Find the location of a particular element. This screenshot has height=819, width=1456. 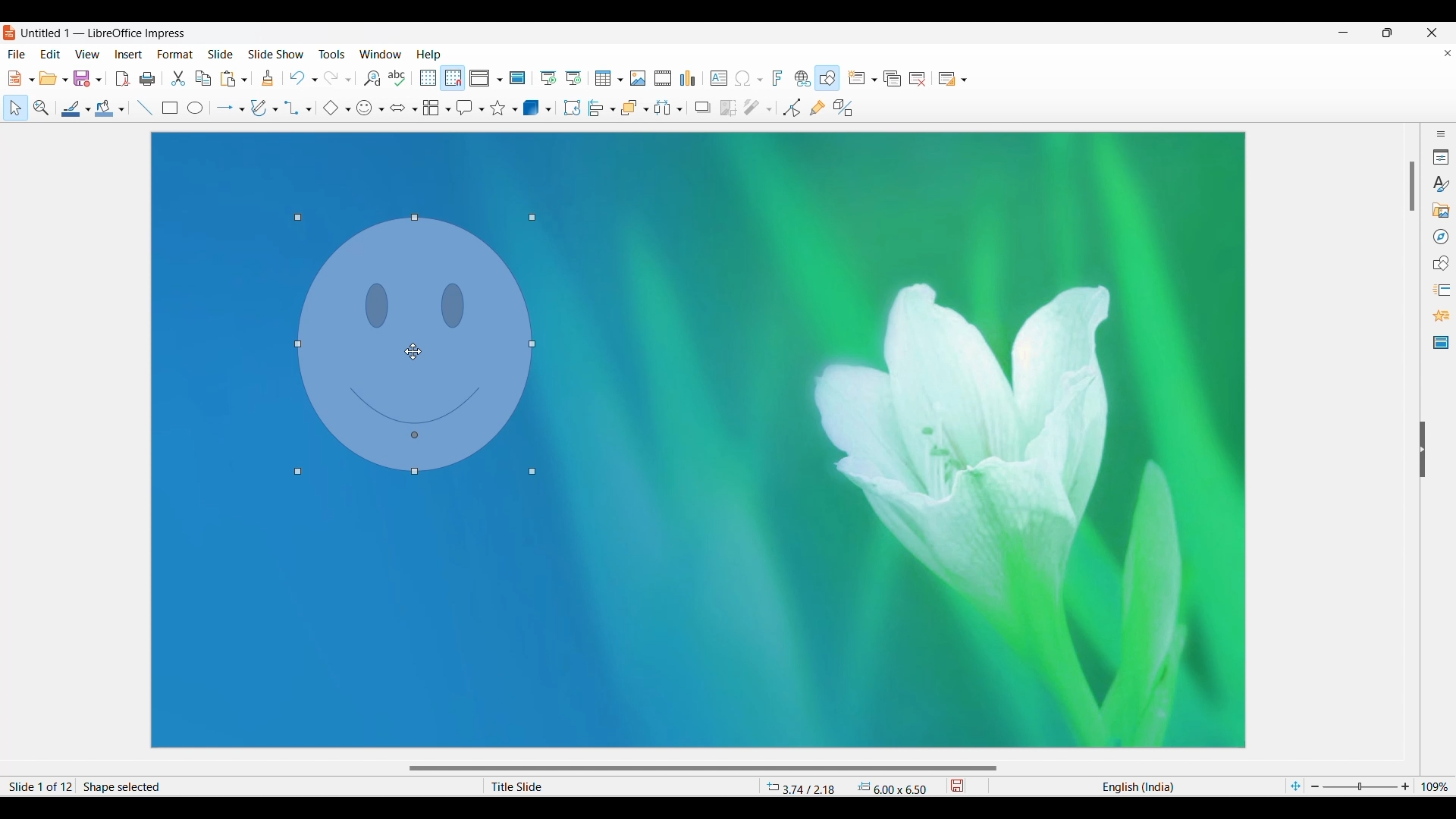

Selected curve and polygon option is located at coordinates (259, 108).